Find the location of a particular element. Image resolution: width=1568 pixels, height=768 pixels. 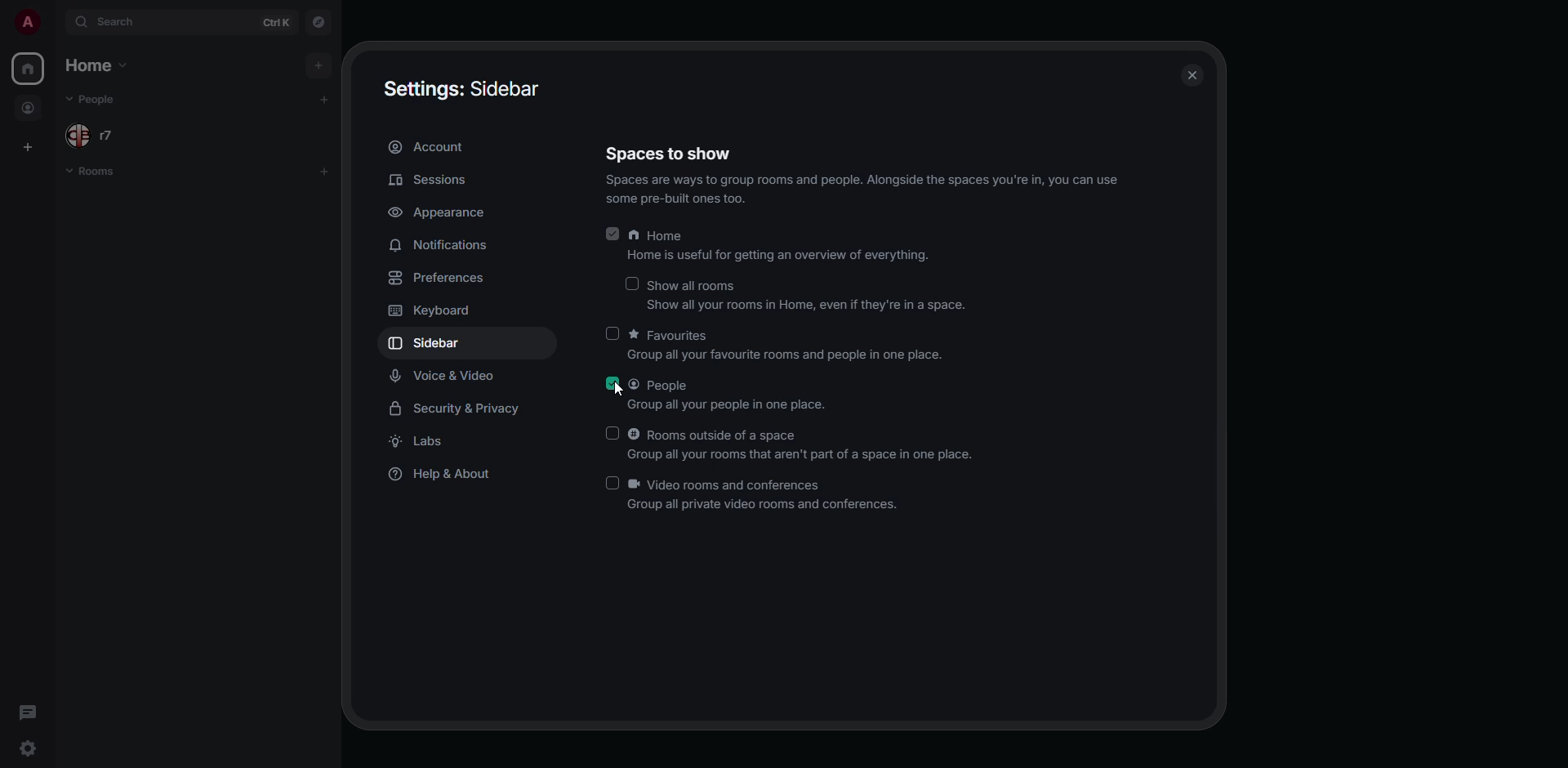

Spaces are ways to group rooms and people. Alongside the spaces you're in, you can use
some pre-built ones too. is located at coordinates (864, 190).